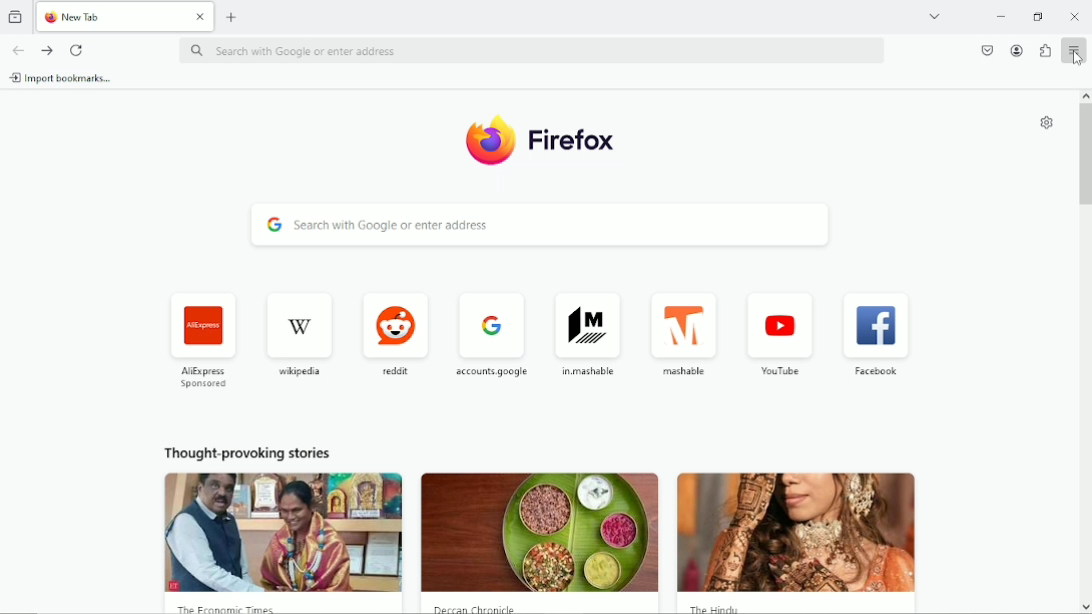 The width and height of the screenshot is (1092, 614). I want to click on go back, so click(19, 50).